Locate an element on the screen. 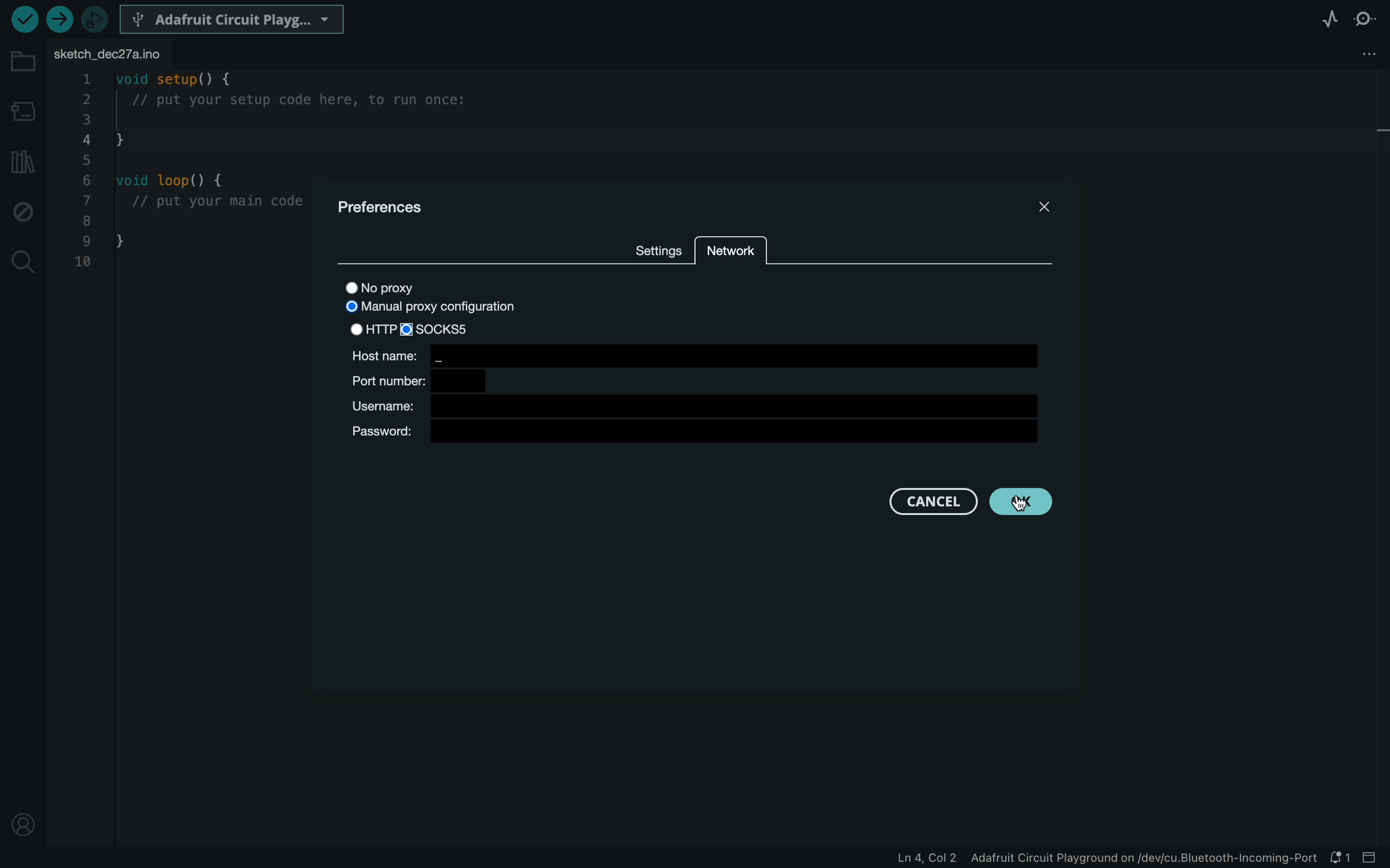  board manager is located at coordinates (23, 110).